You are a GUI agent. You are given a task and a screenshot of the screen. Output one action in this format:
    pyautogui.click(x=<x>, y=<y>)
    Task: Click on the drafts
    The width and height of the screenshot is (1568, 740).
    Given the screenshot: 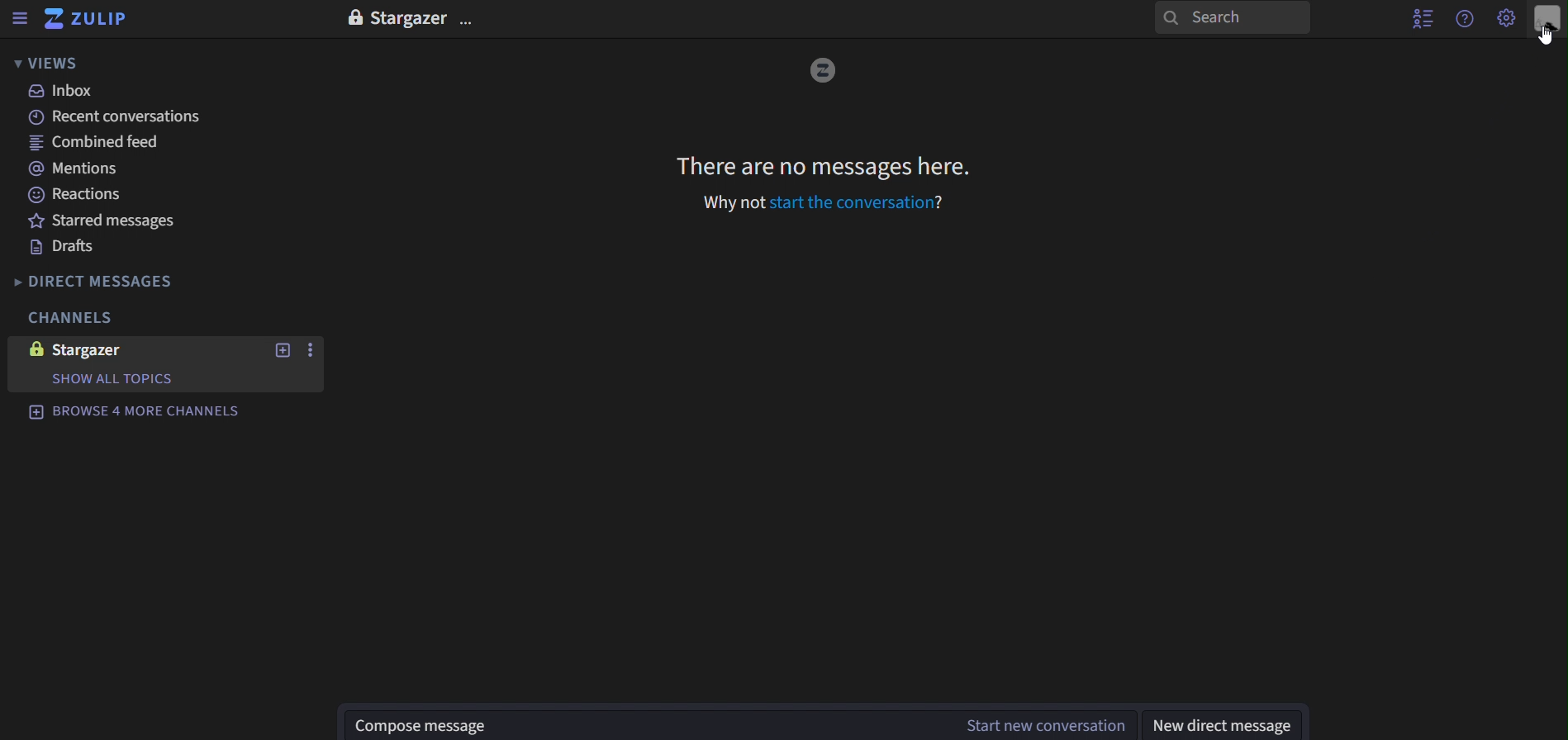 What is the action you would take?
    pyautogui.click(x=64, y=246)
    